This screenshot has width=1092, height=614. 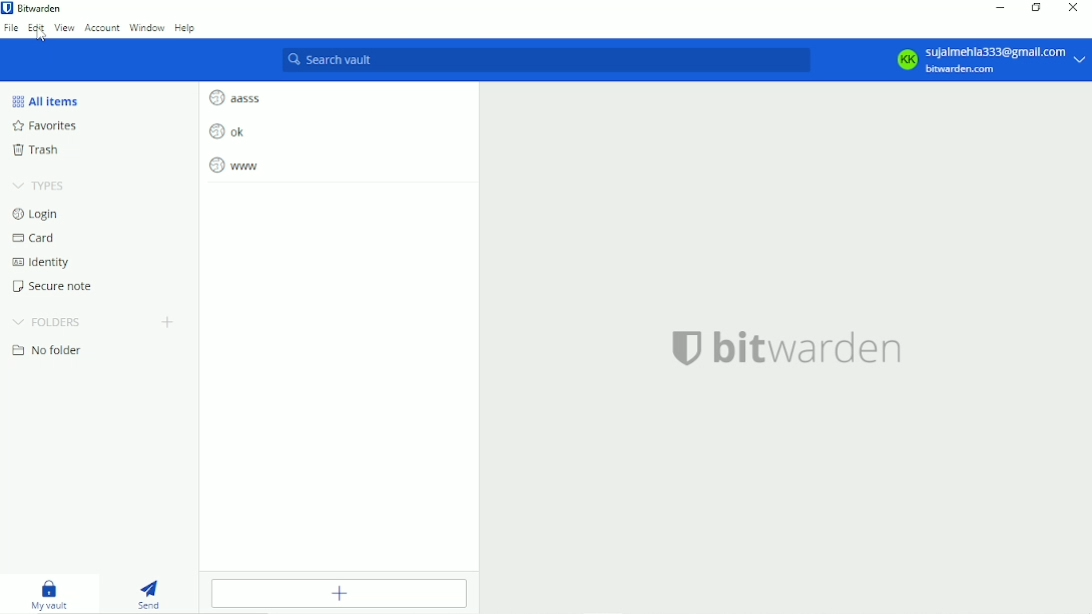 What do you see at coordinates (48, 101) in the screenshot?
I see `All items` at bounding box center [48, 101].